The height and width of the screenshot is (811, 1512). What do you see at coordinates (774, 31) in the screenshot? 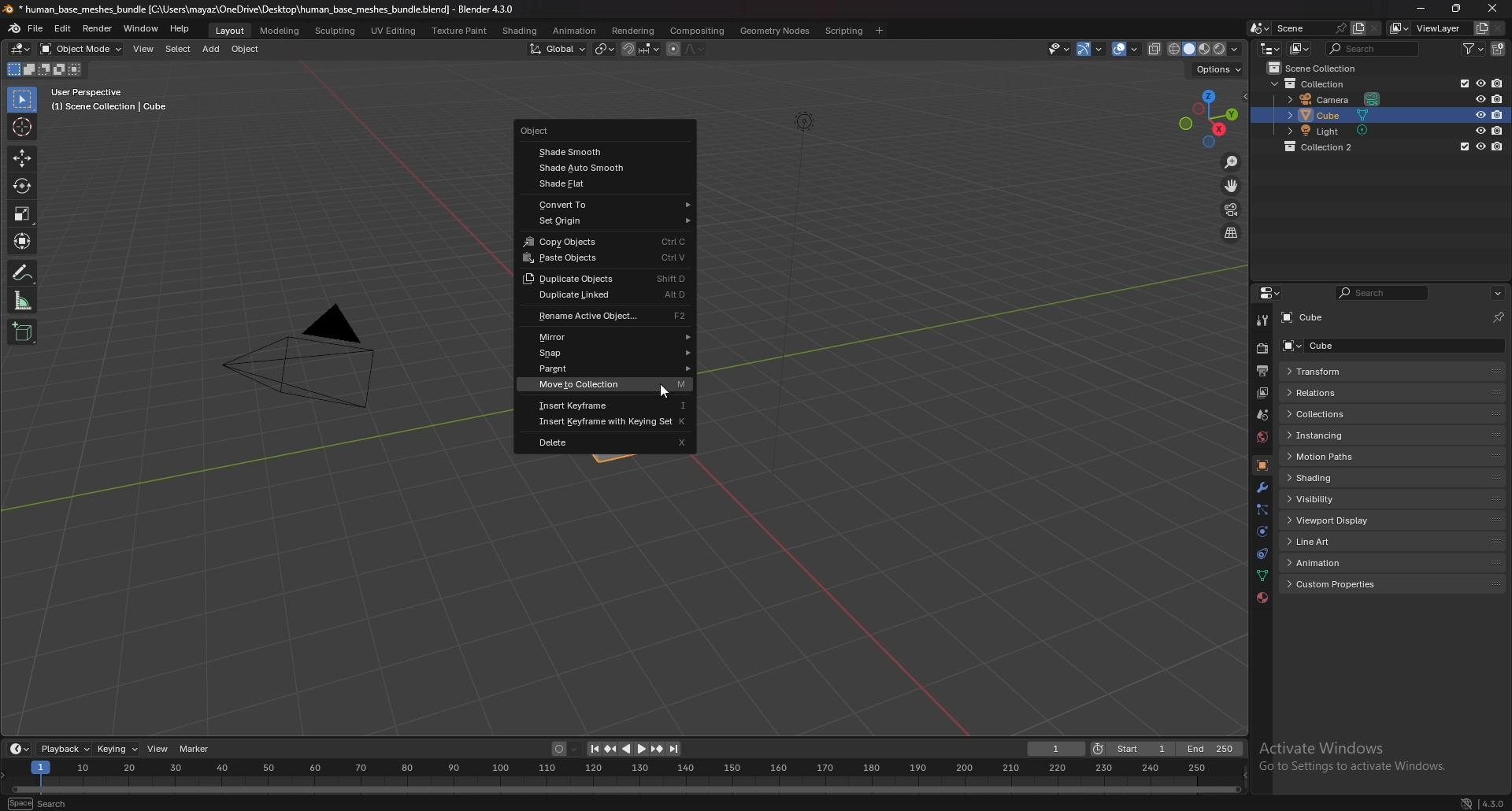
I see `geometry nodes` at bounding box center [774, 31].